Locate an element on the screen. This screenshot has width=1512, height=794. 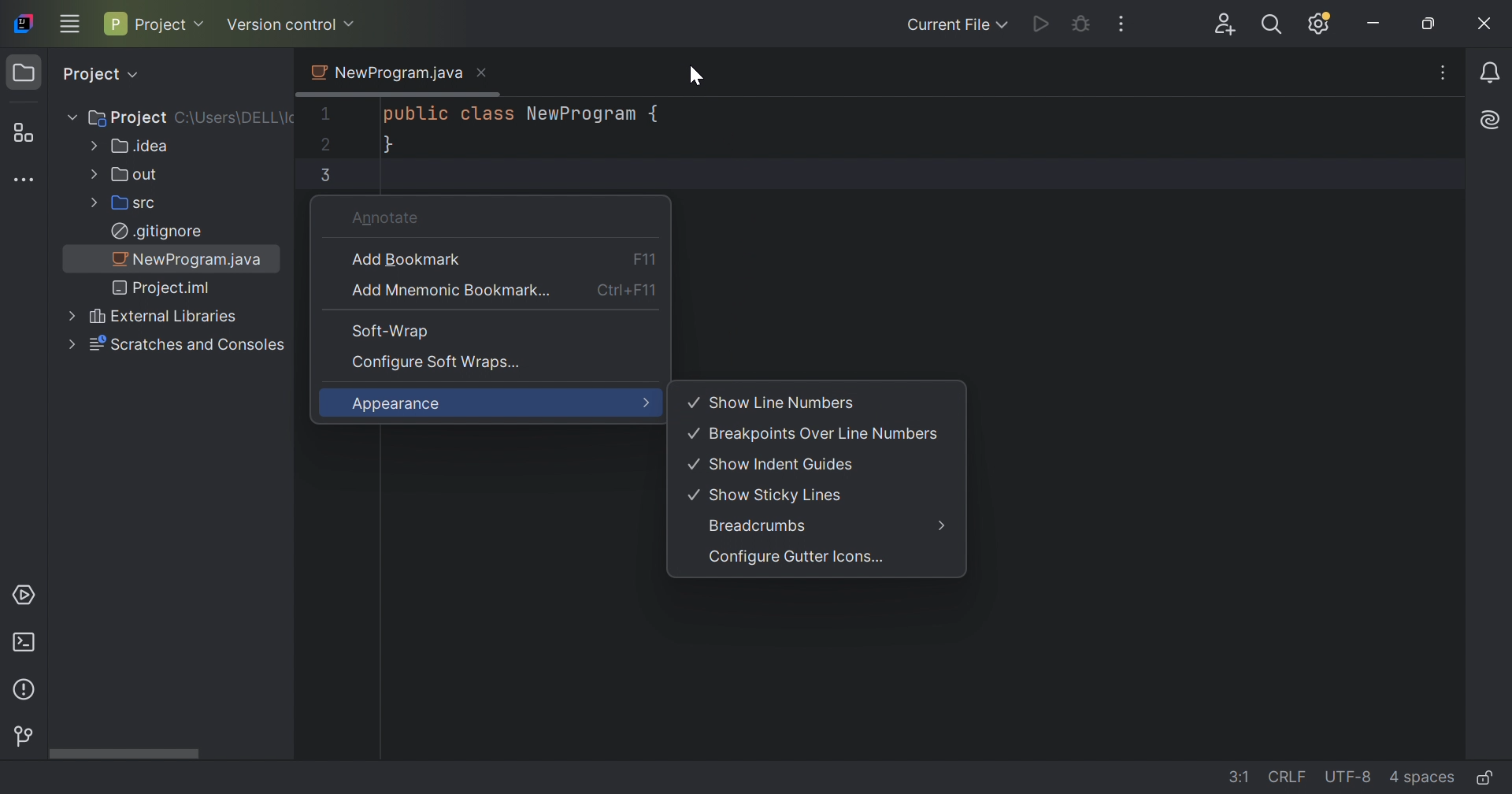
Problems is located at coordinates (27, 688).